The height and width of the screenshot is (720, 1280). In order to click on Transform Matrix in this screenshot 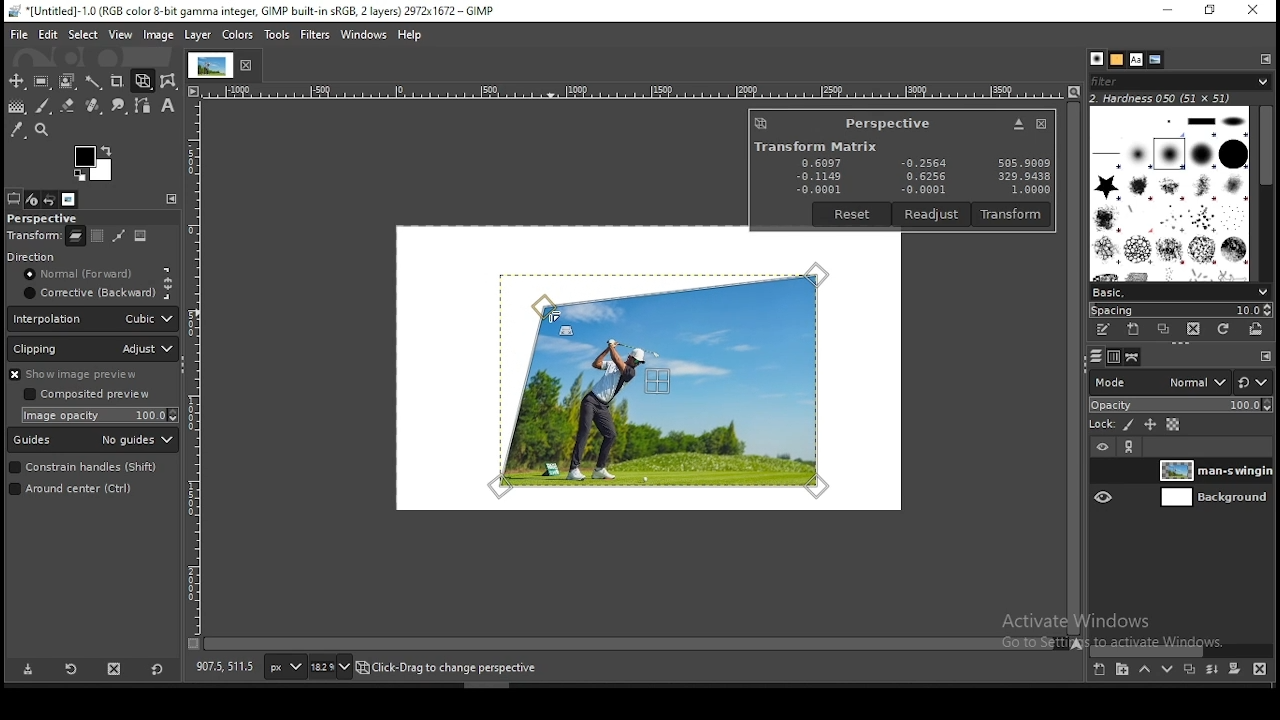, I will do `click(814, 146)`.